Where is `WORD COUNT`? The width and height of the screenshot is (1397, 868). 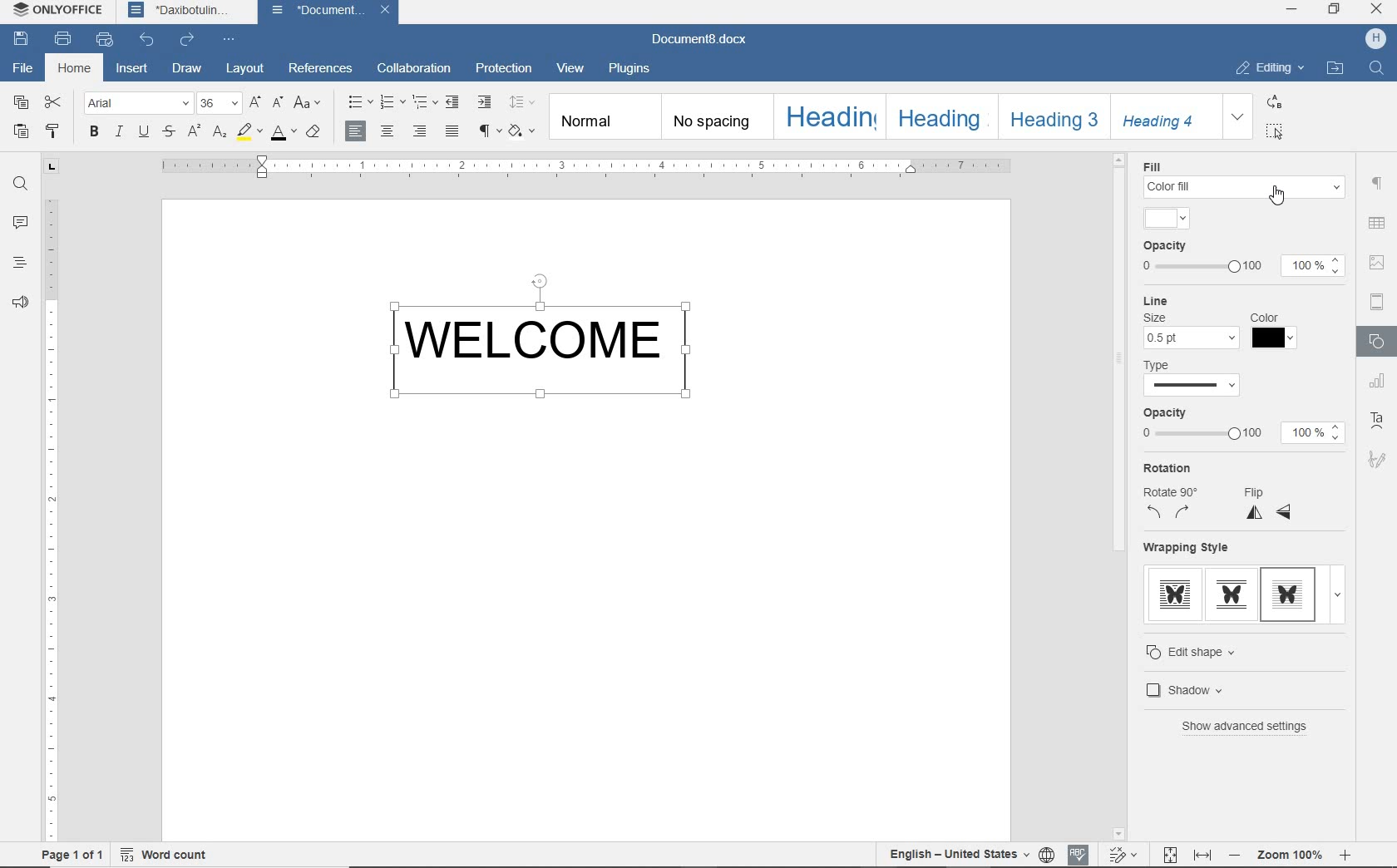
WORD COUNT is located at coordinates (165, 854).